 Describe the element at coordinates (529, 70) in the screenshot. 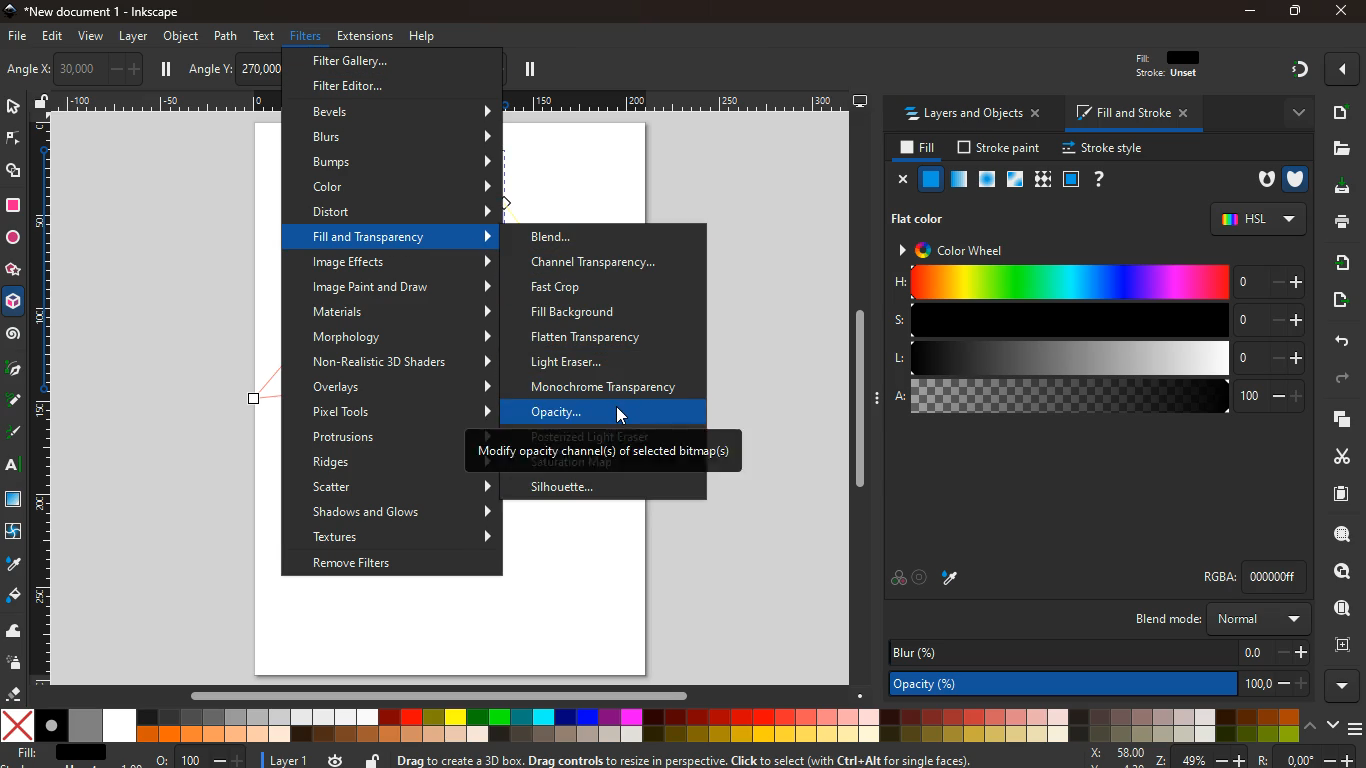

I see `pause` at that location.